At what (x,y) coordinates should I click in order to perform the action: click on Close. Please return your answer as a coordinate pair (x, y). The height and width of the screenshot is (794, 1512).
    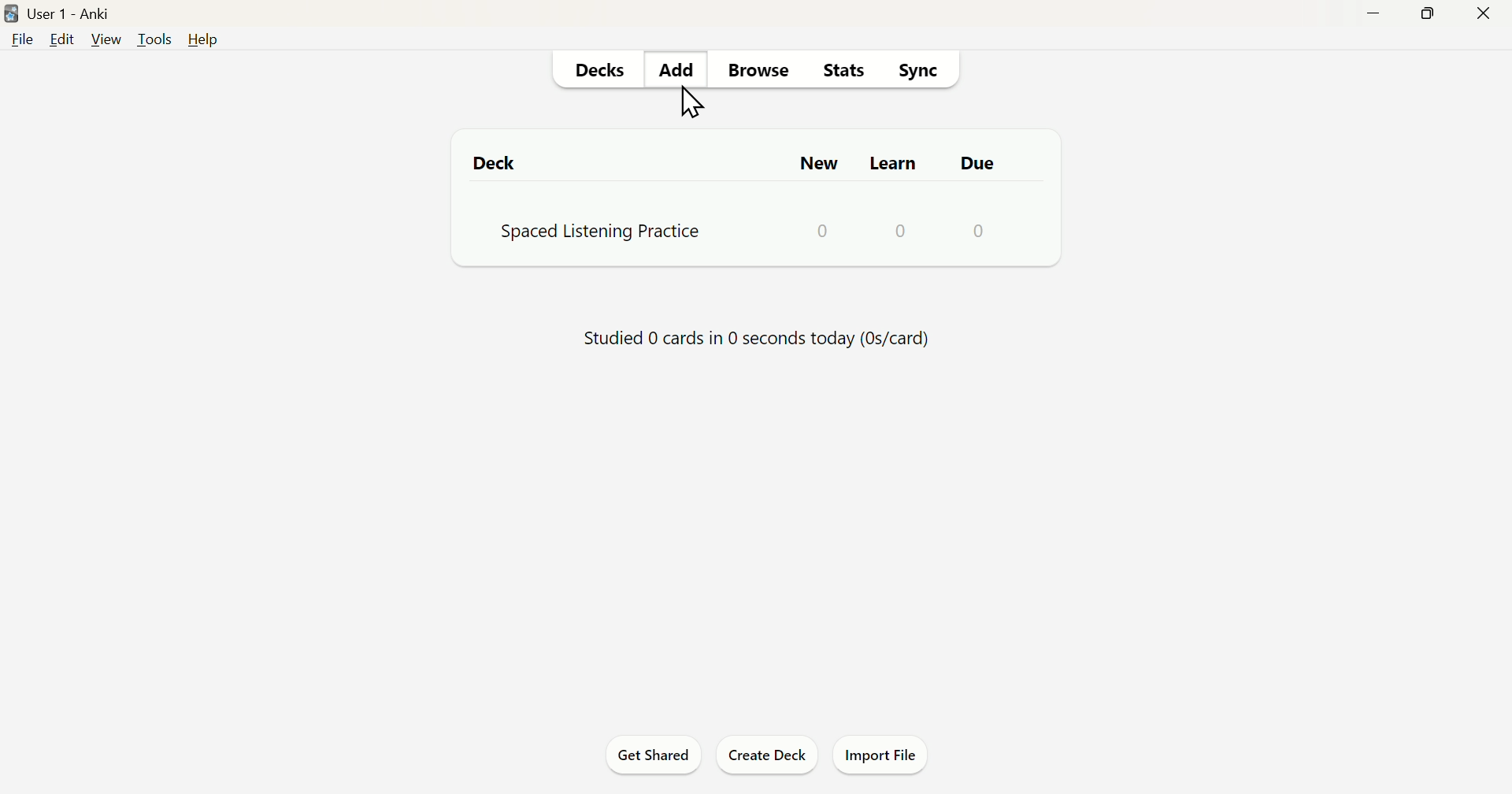
    Looking at the image, I should click on (1484, 13).